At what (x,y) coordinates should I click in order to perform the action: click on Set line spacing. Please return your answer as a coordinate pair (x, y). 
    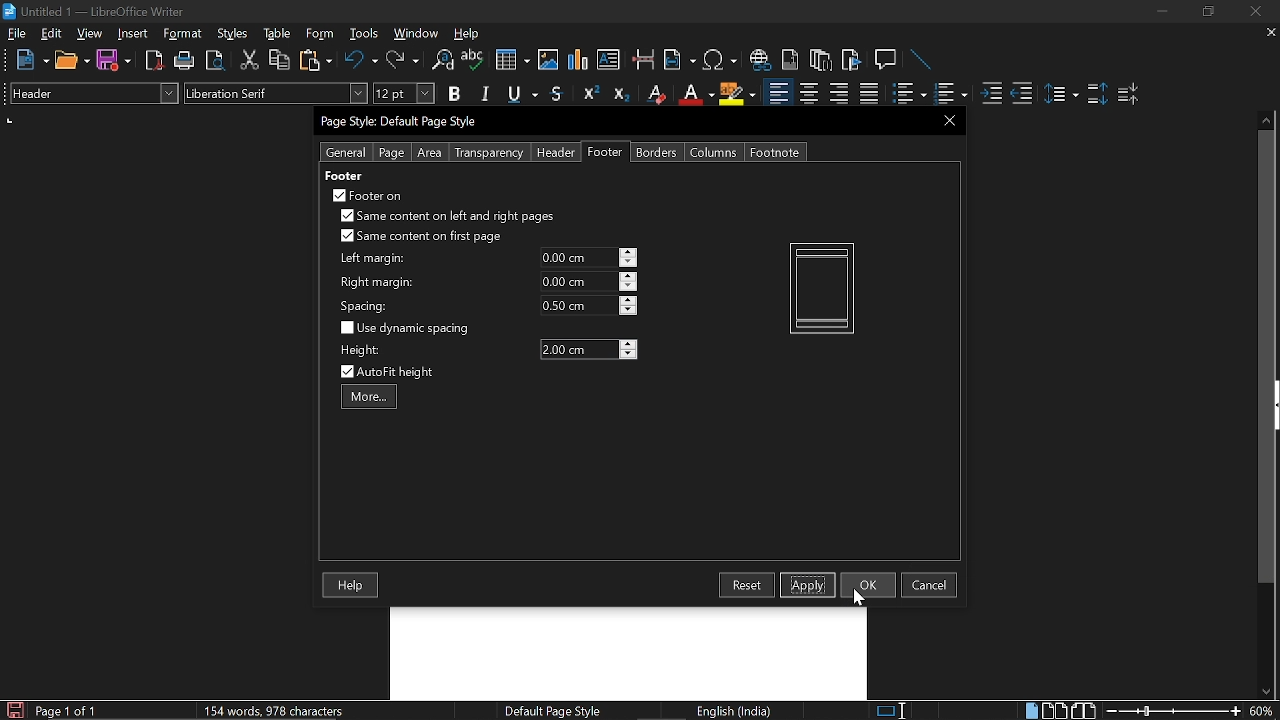
    Looking at the image, I should click on (1060, 94).